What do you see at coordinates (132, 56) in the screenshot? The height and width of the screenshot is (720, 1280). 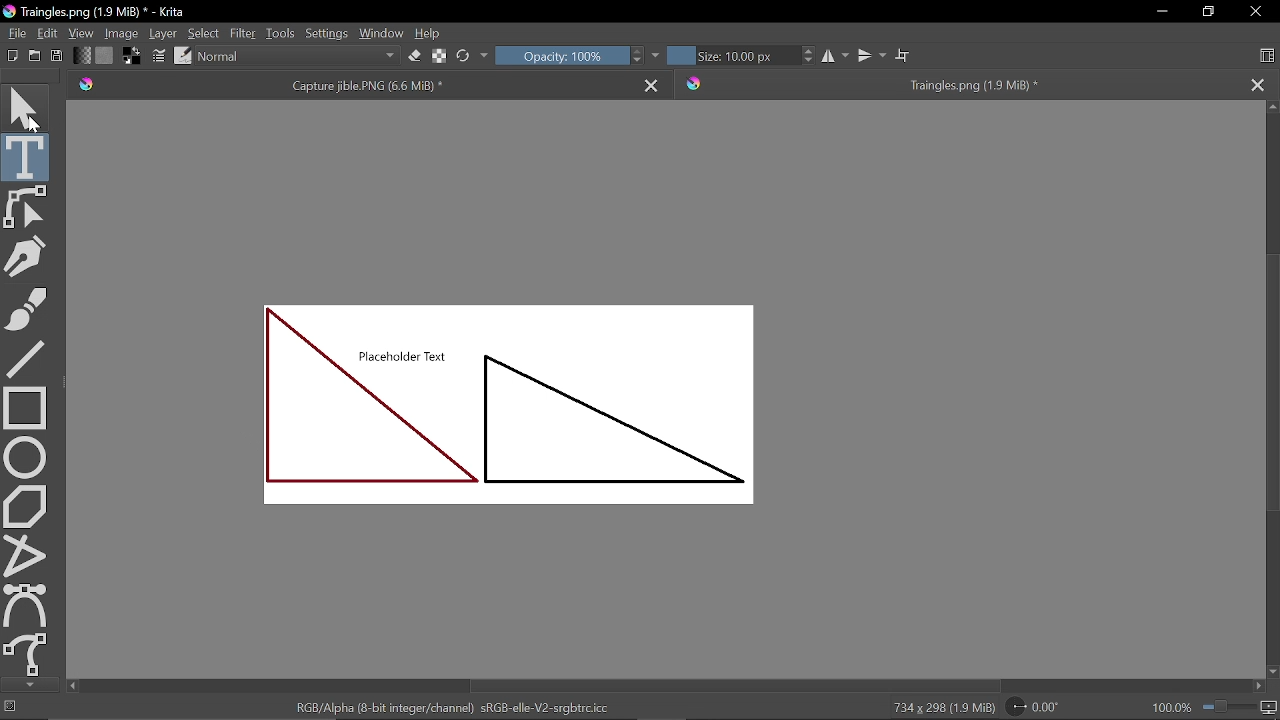 I see `Foreground color` at bounding box center [132, 56].